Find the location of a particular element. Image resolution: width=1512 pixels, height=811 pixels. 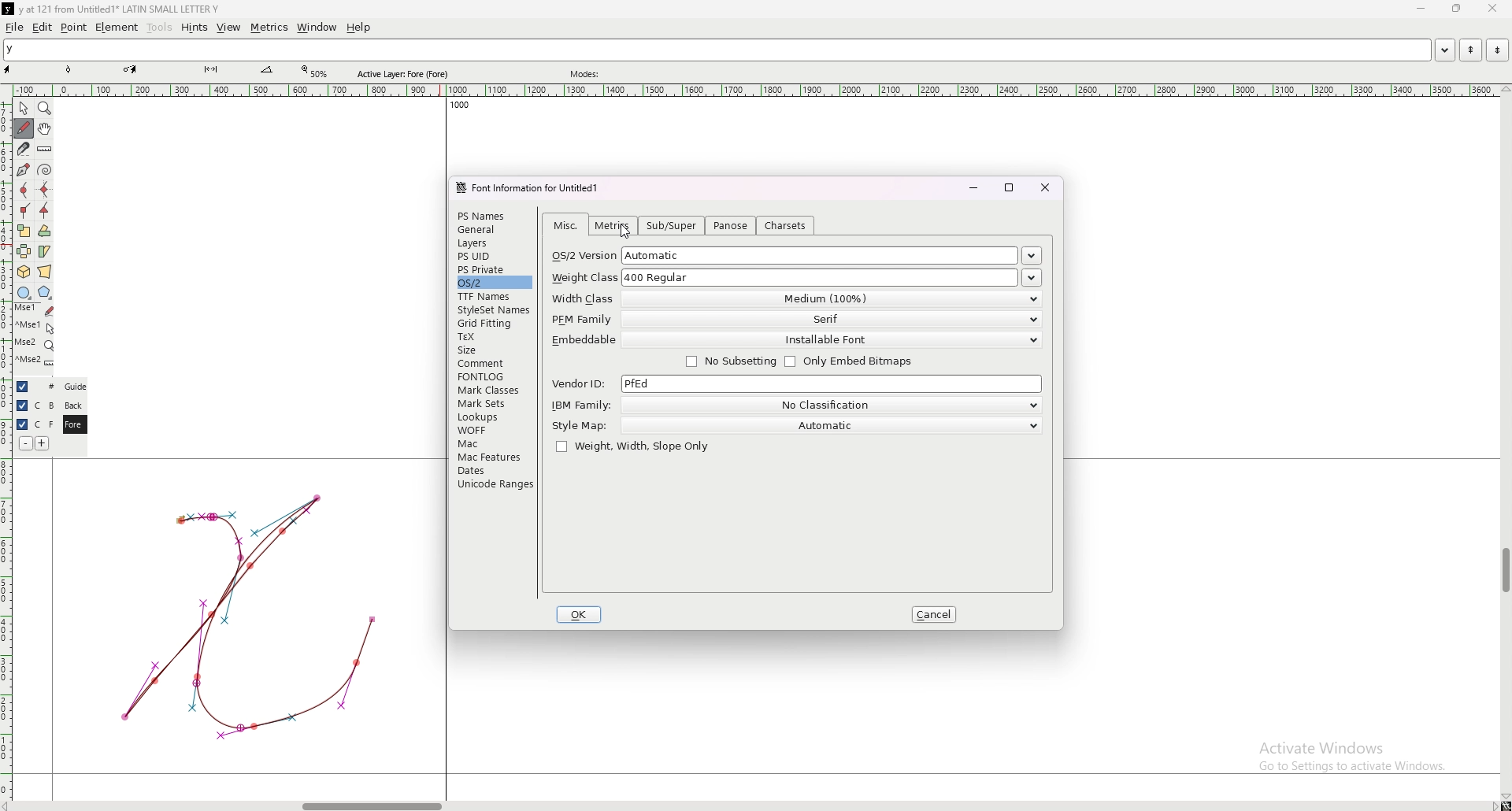

open word list is located at coordinates (1444, 50).